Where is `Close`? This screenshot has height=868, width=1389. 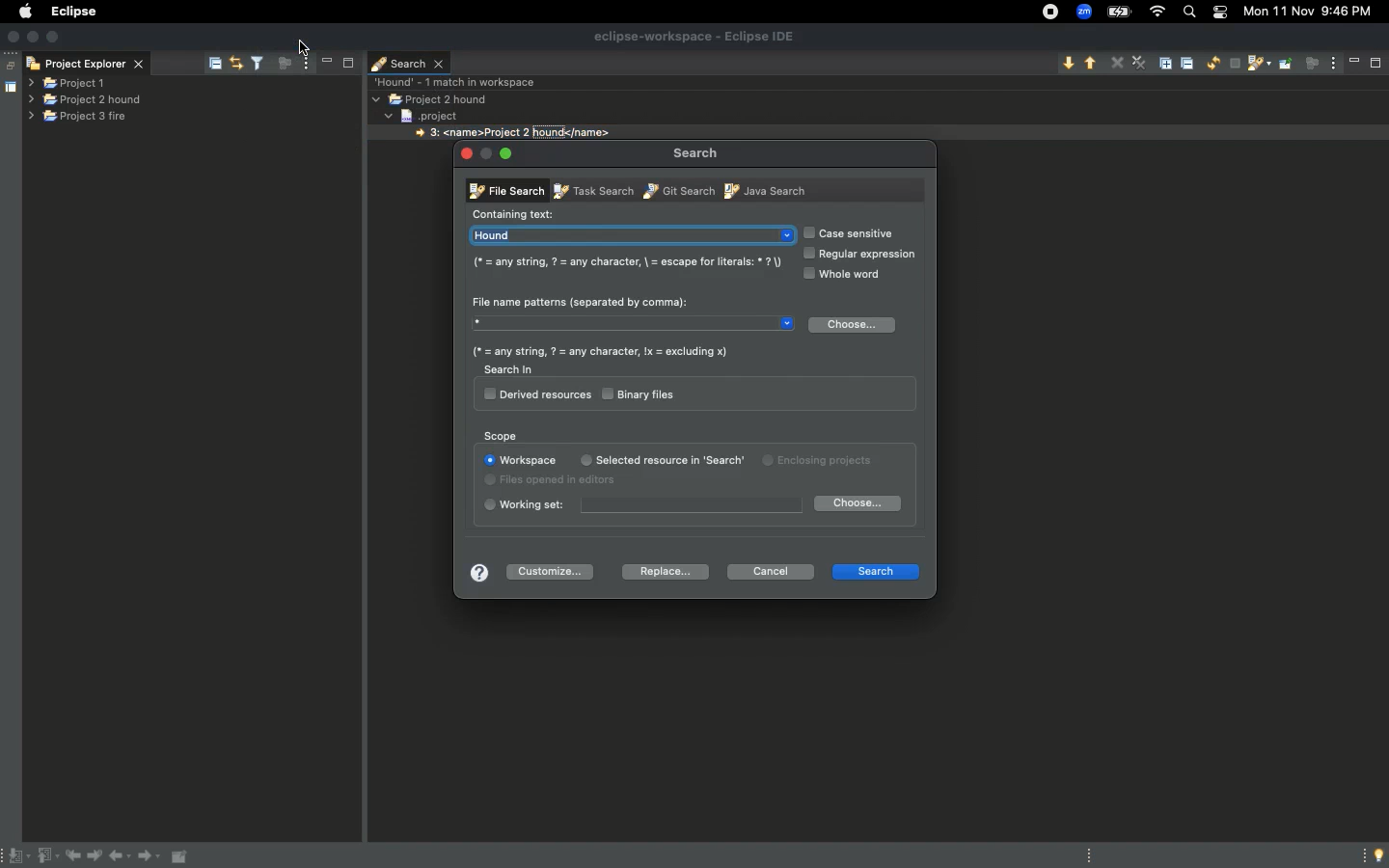
Close is located at coordinates (465, 151).